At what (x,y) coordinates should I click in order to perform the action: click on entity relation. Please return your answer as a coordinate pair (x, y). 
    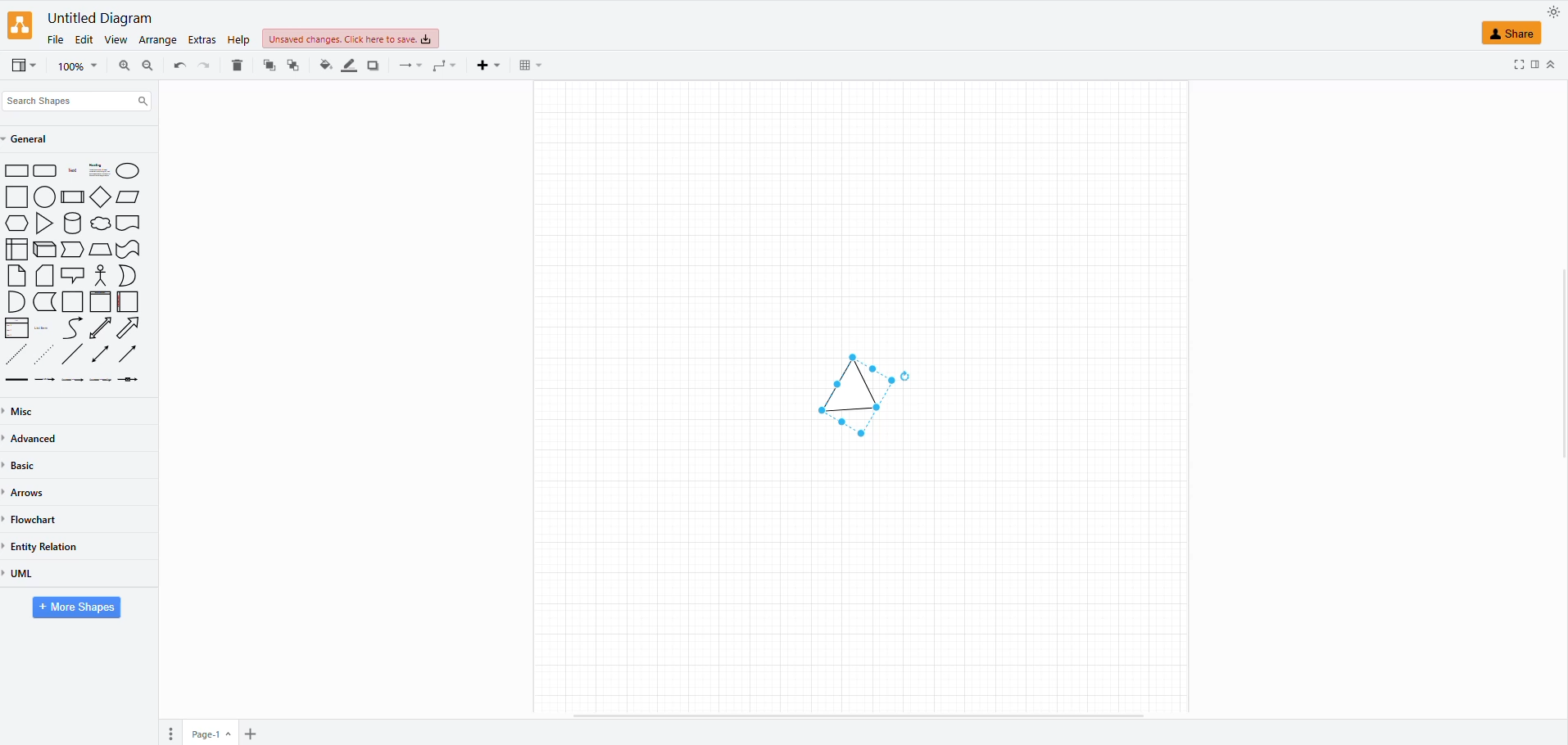
    Looking at the image, I should click on (53, 542).